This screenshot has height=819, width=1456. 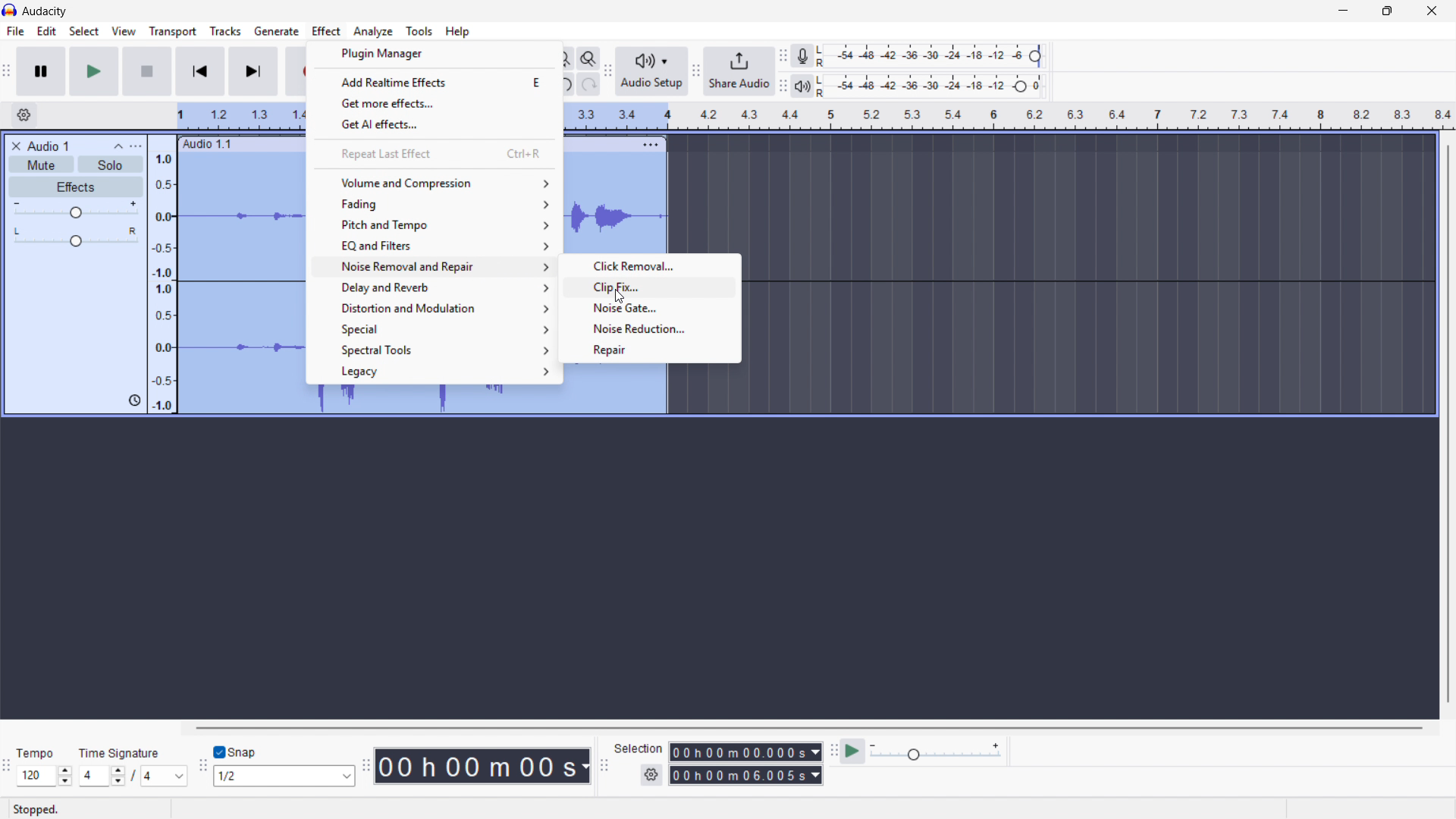 What do you see at coordinates (6, 73) in the screenshot?
I see `Transport toolbar ` at bounding box center [6, 73].